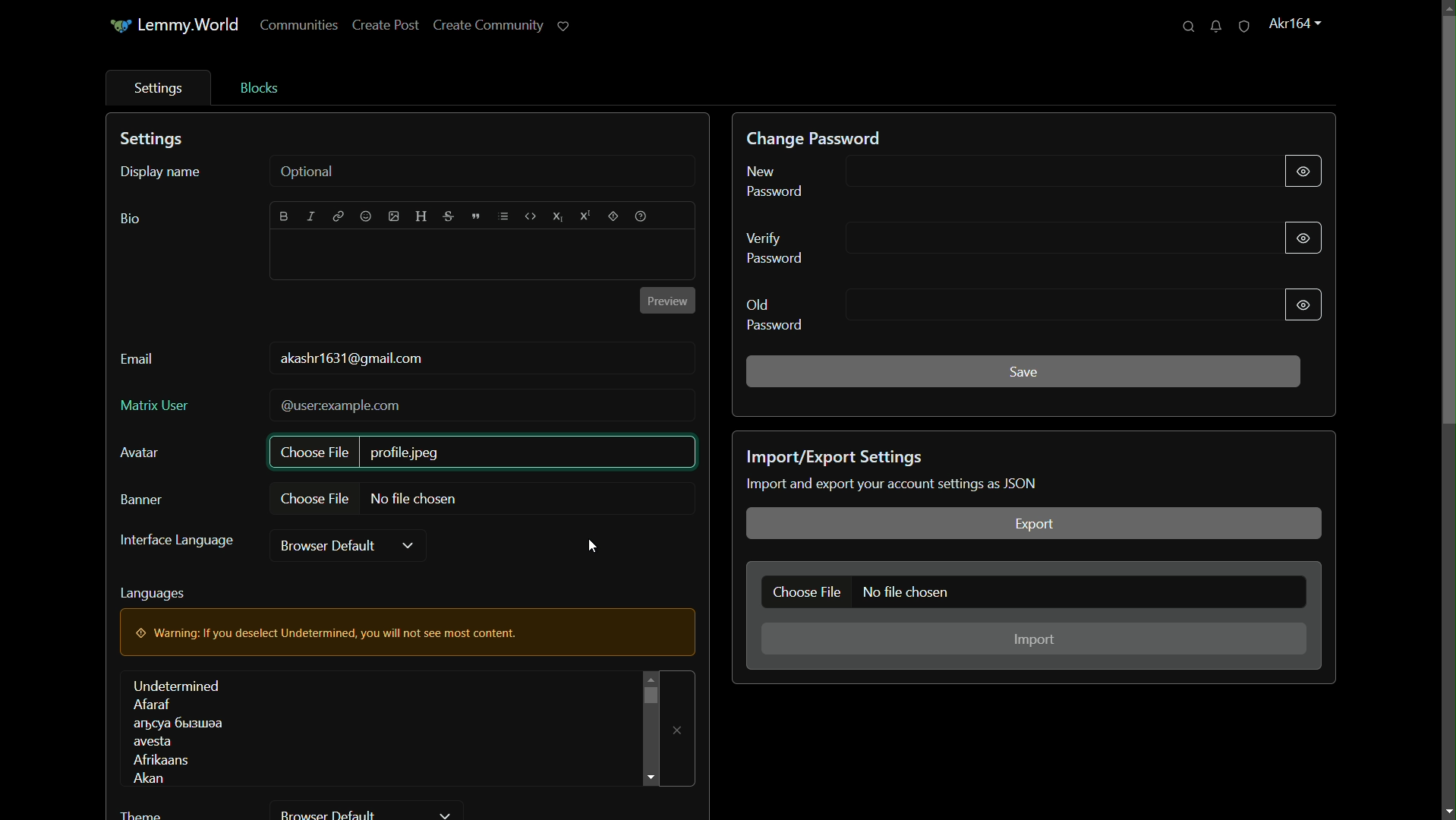  I want to click on save, so click(1024, 371).